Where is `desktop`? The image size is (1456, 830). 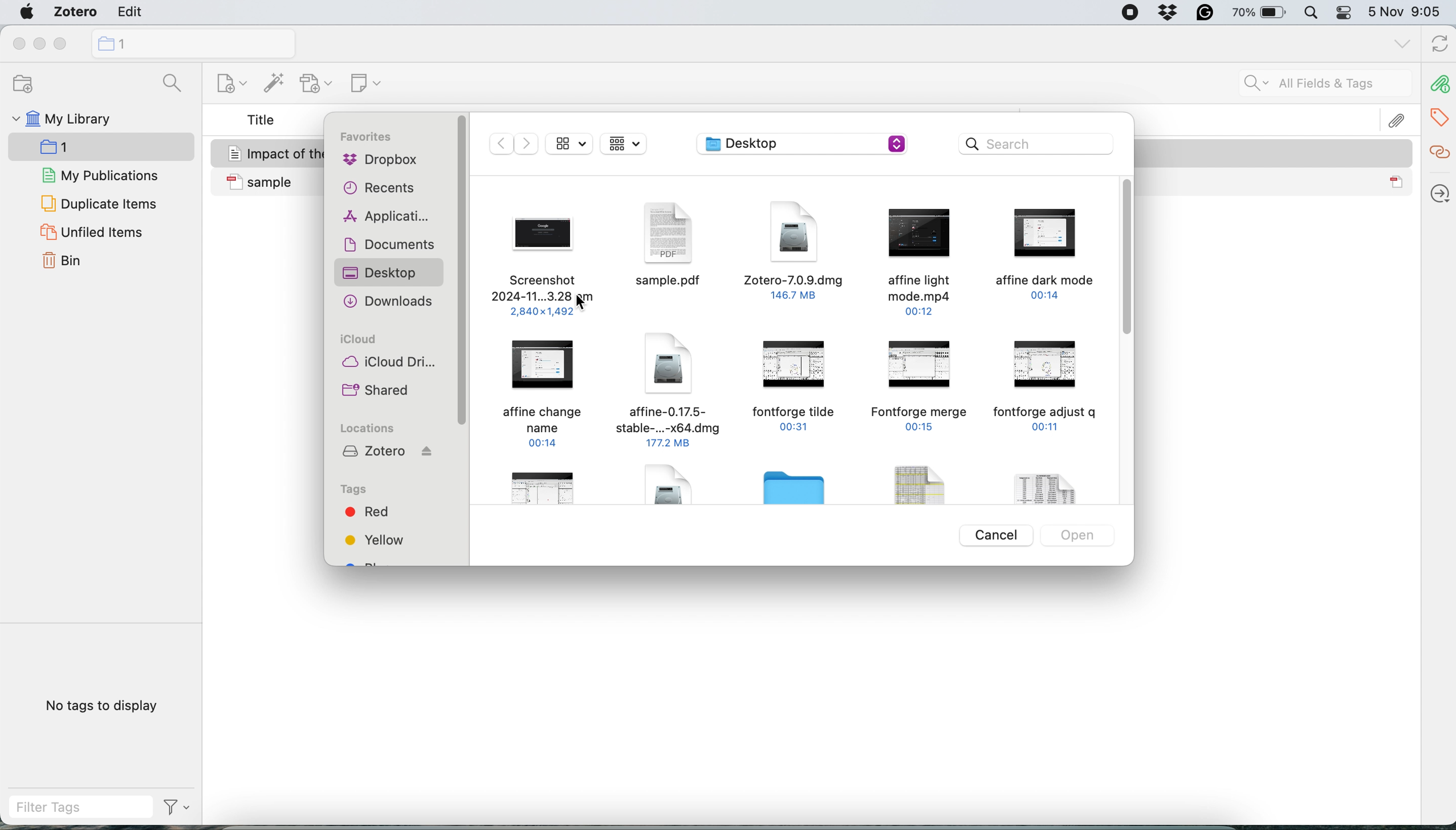
desktop is located at coordinates (804, 144).